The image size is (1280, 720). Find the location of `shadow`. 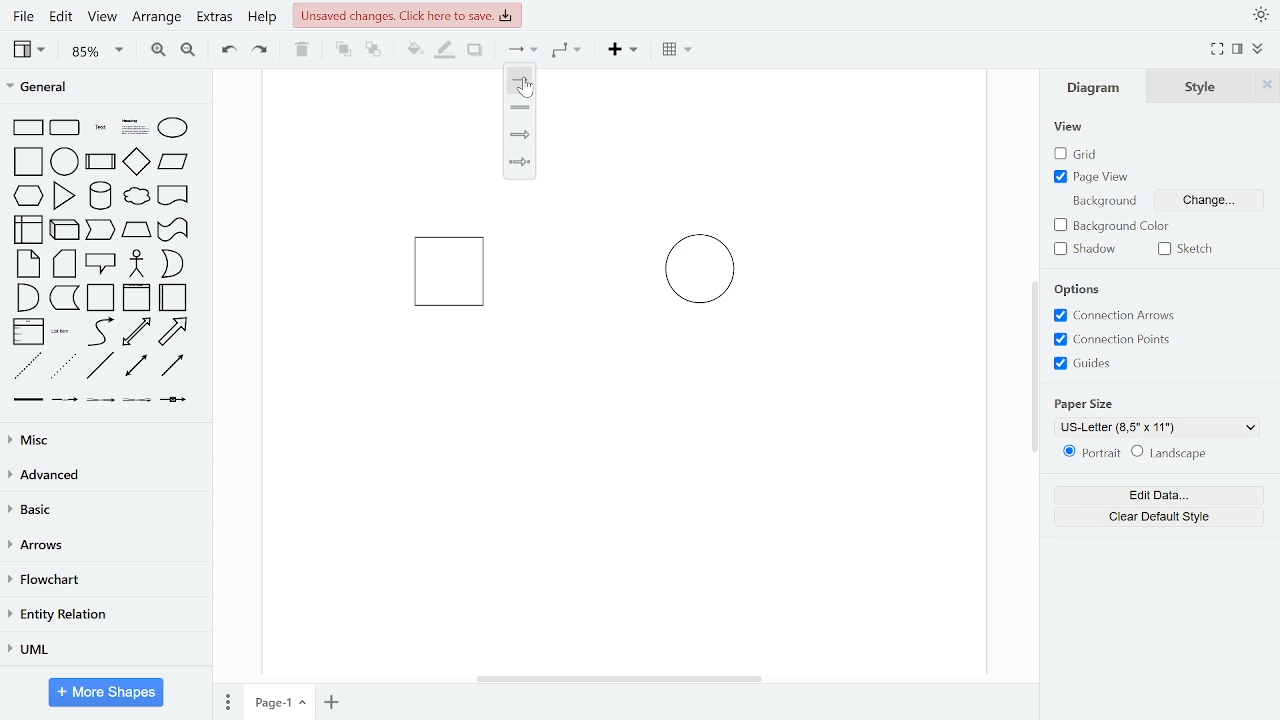

shadow is located at coordinates (476, 51).